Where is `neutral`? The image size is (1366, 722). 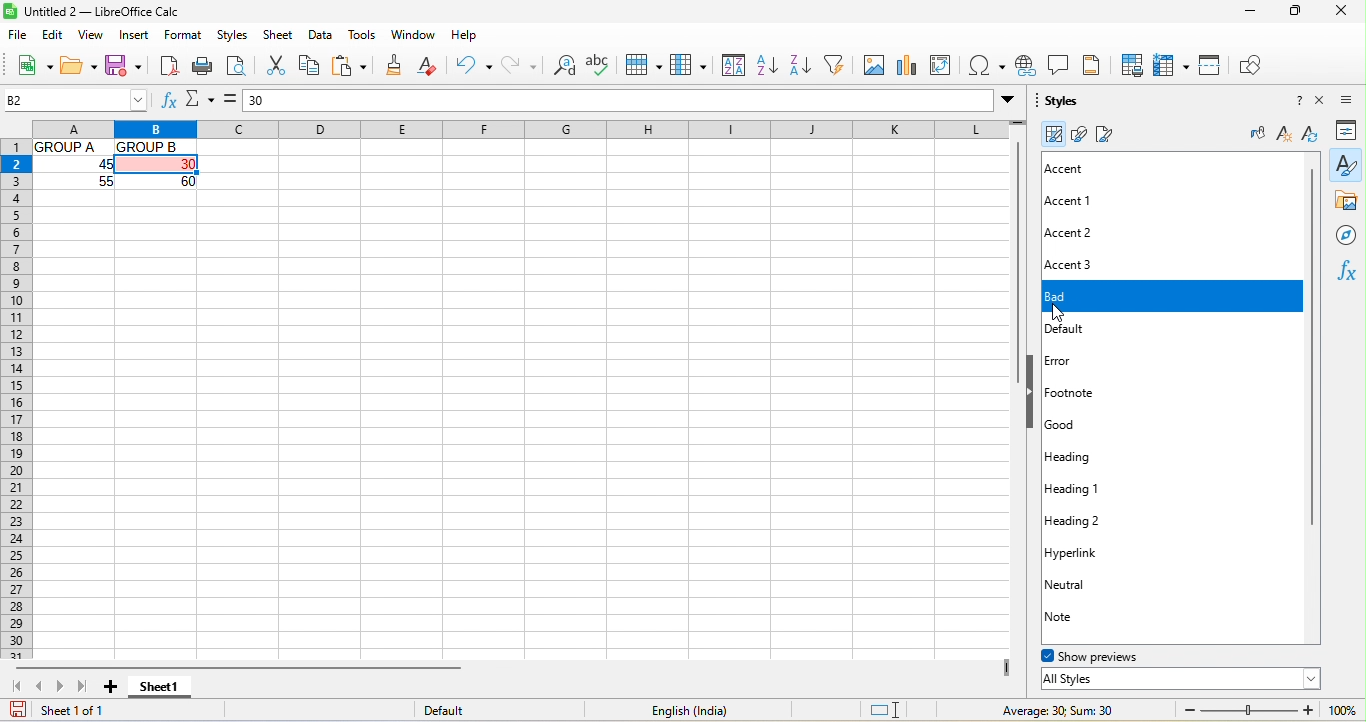 neutral is located at coordinates (1082, 584).